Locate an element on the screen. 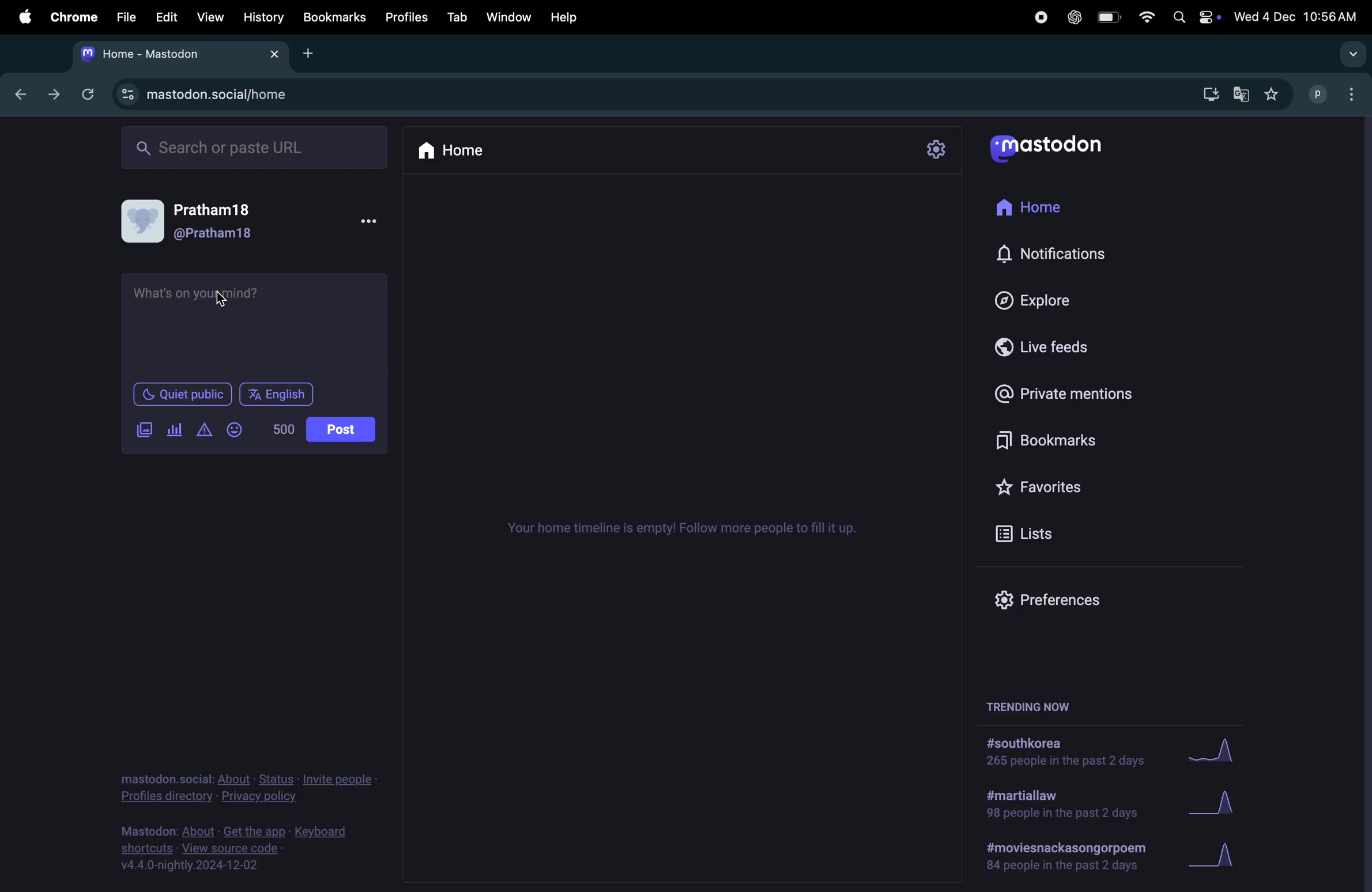 This screenshot has height=892, width=1372. Book marks is located at coordinates (334, 17).